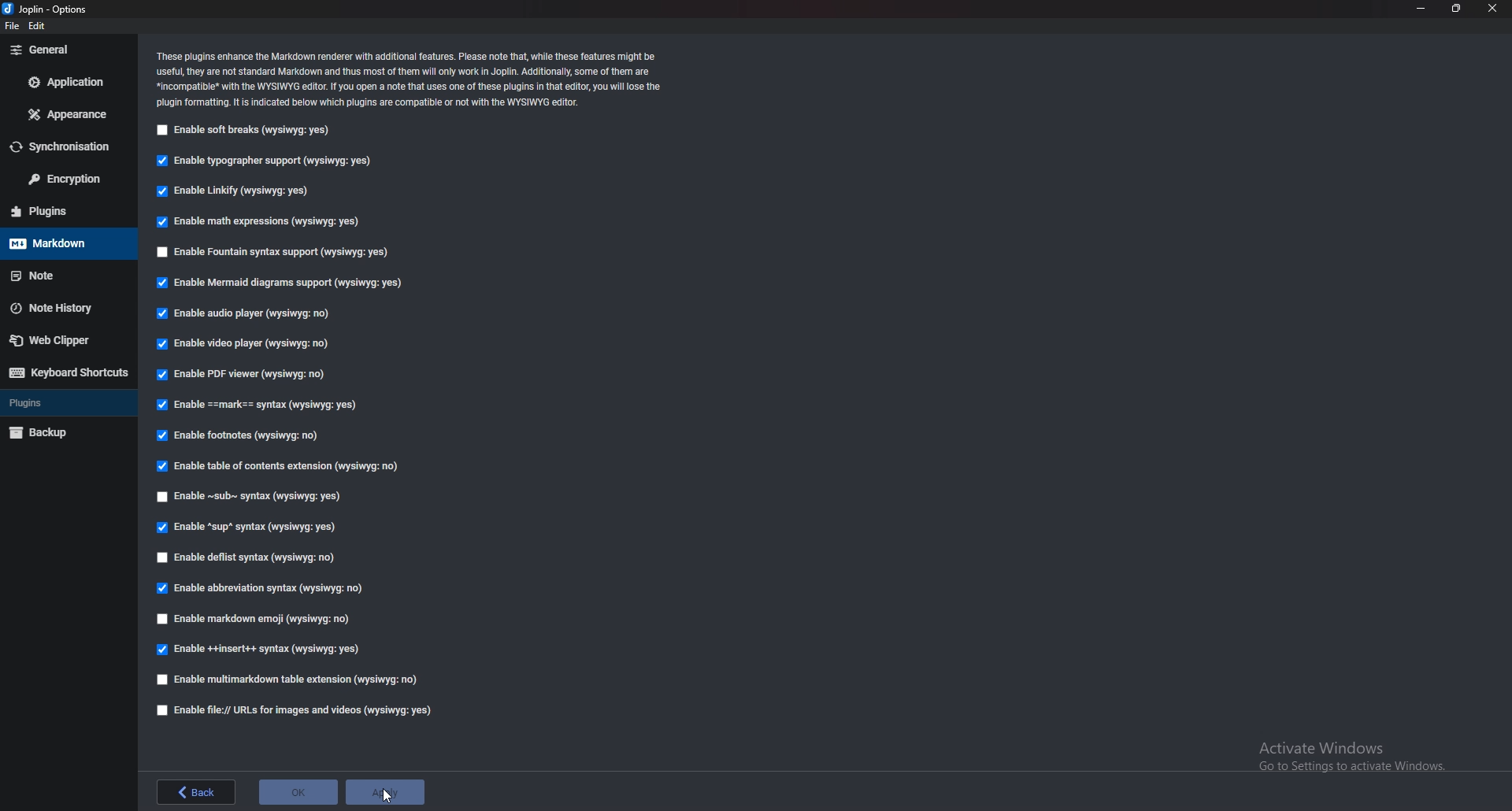 The width and height of the screenshot is (1512, 811). What do you see at coordinates (53, 9) in the screenshot?
I see `options` at bounding box center [53, 9].